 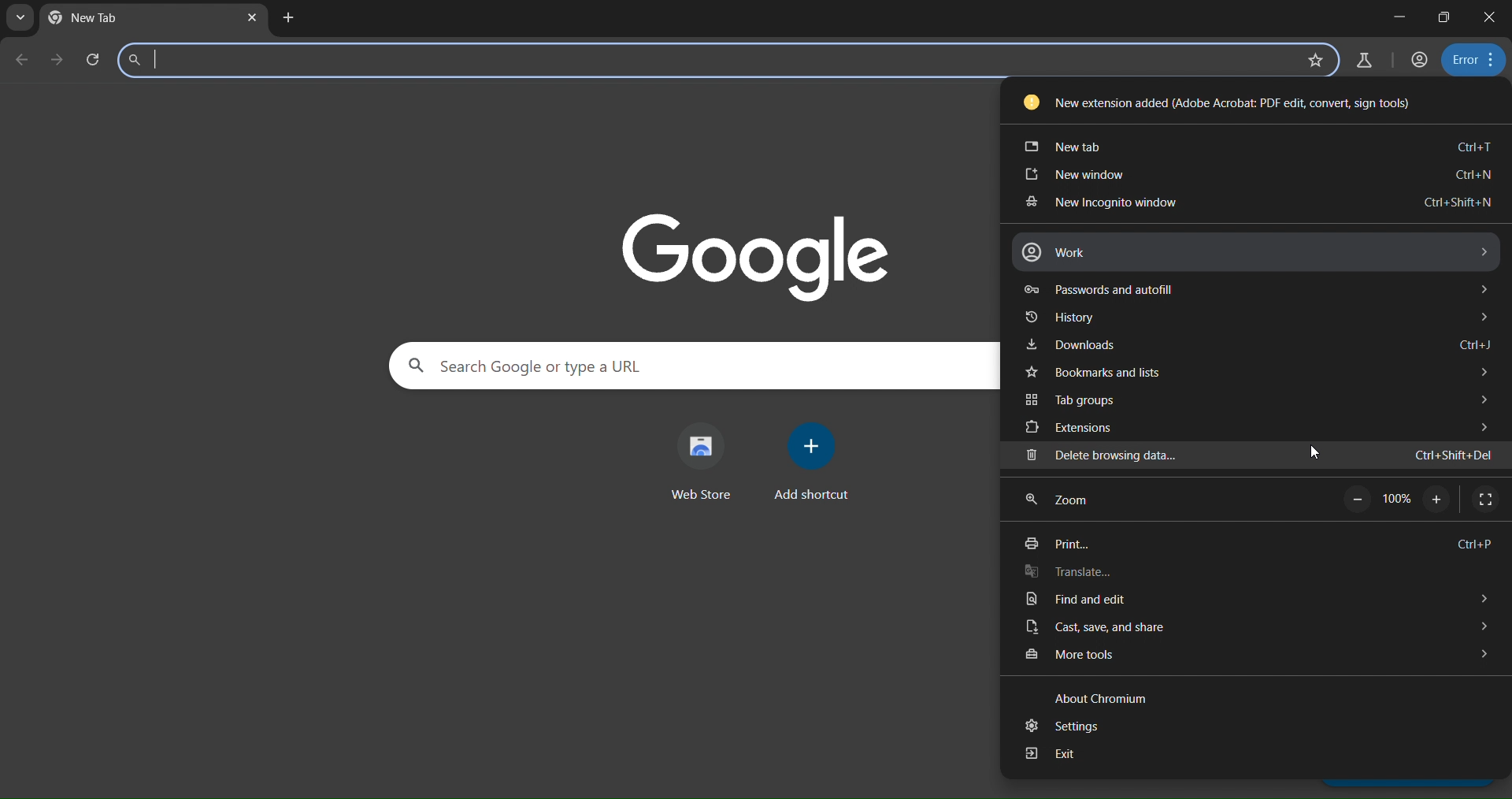 I want to click on display full screen, so click(x=1487, y=500).